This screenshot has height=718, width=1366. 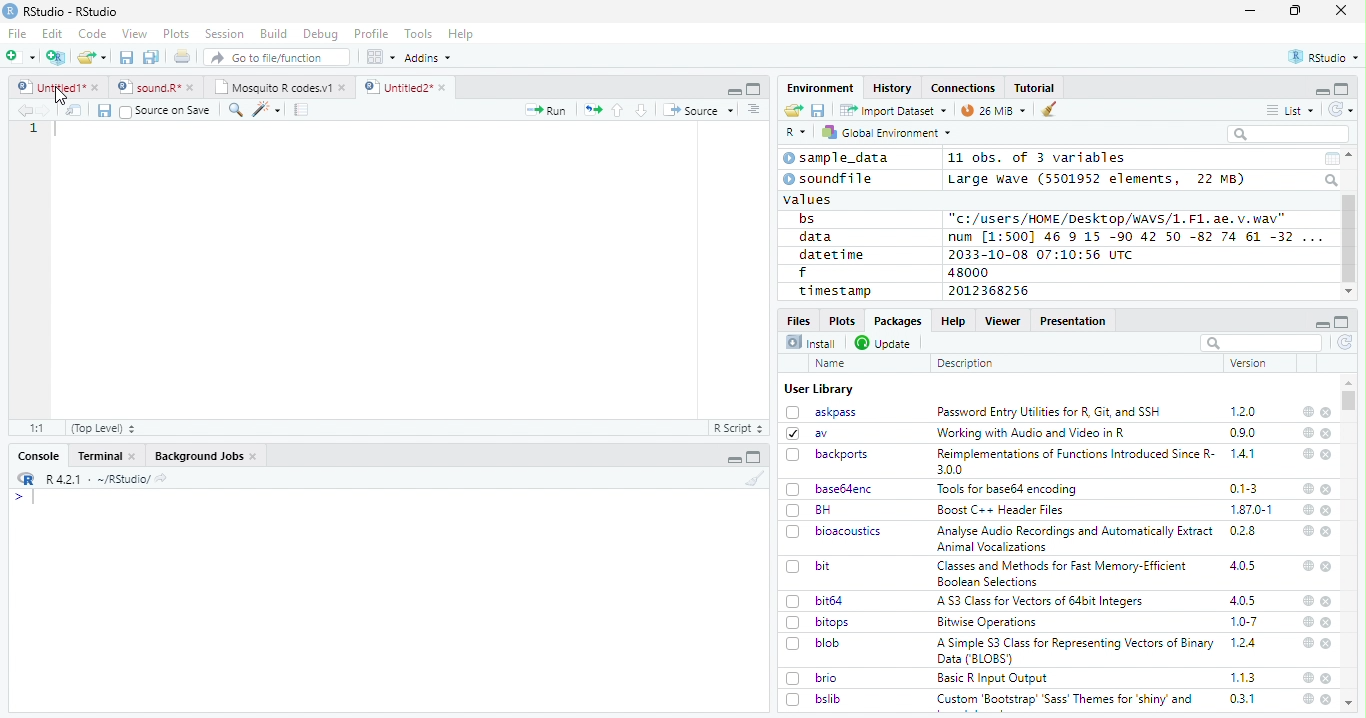 I want to click on timestamp, so click(x=834, y=290).